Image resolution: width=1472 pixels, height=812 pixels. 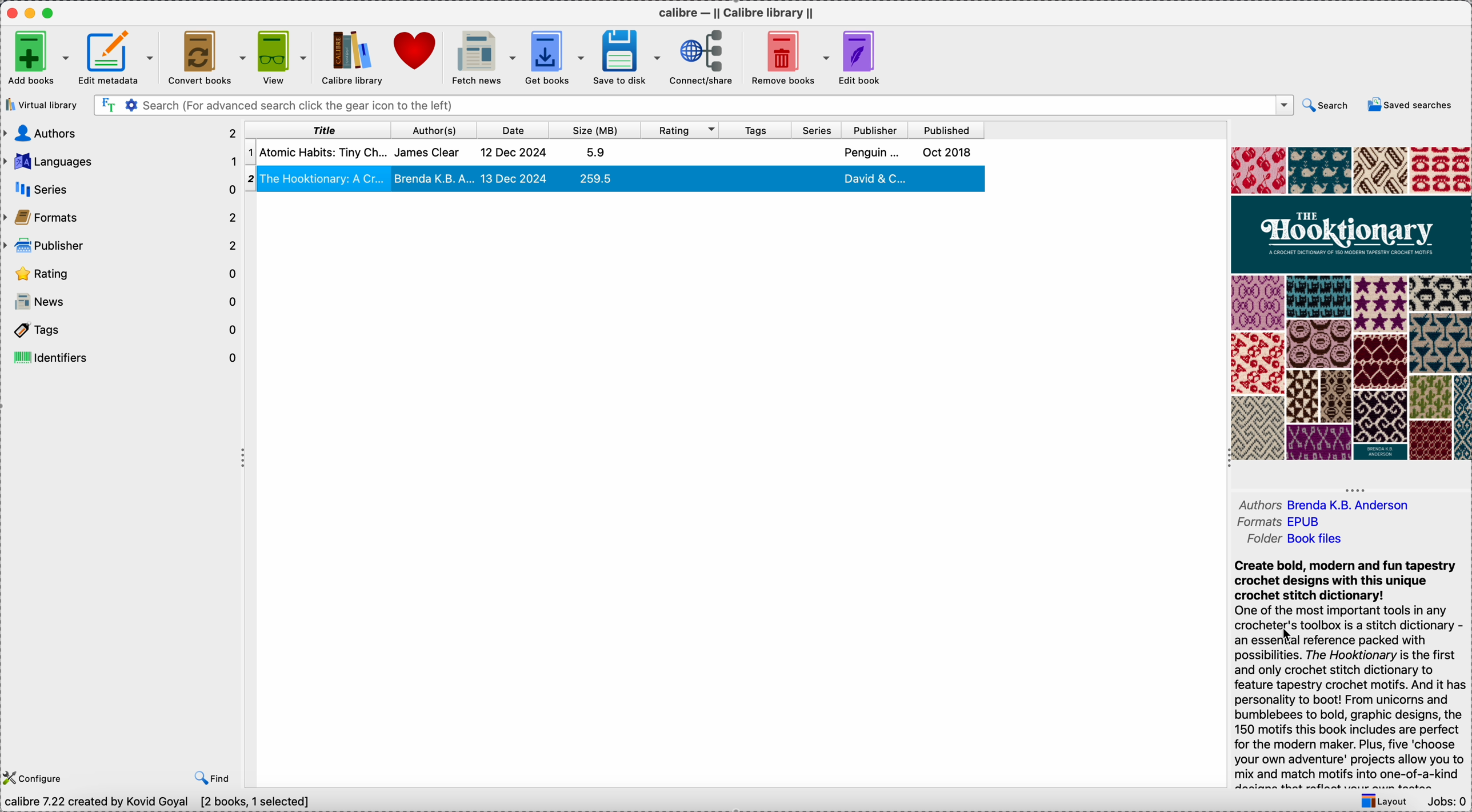 I want to click on rating, so click(x=685, y=130).